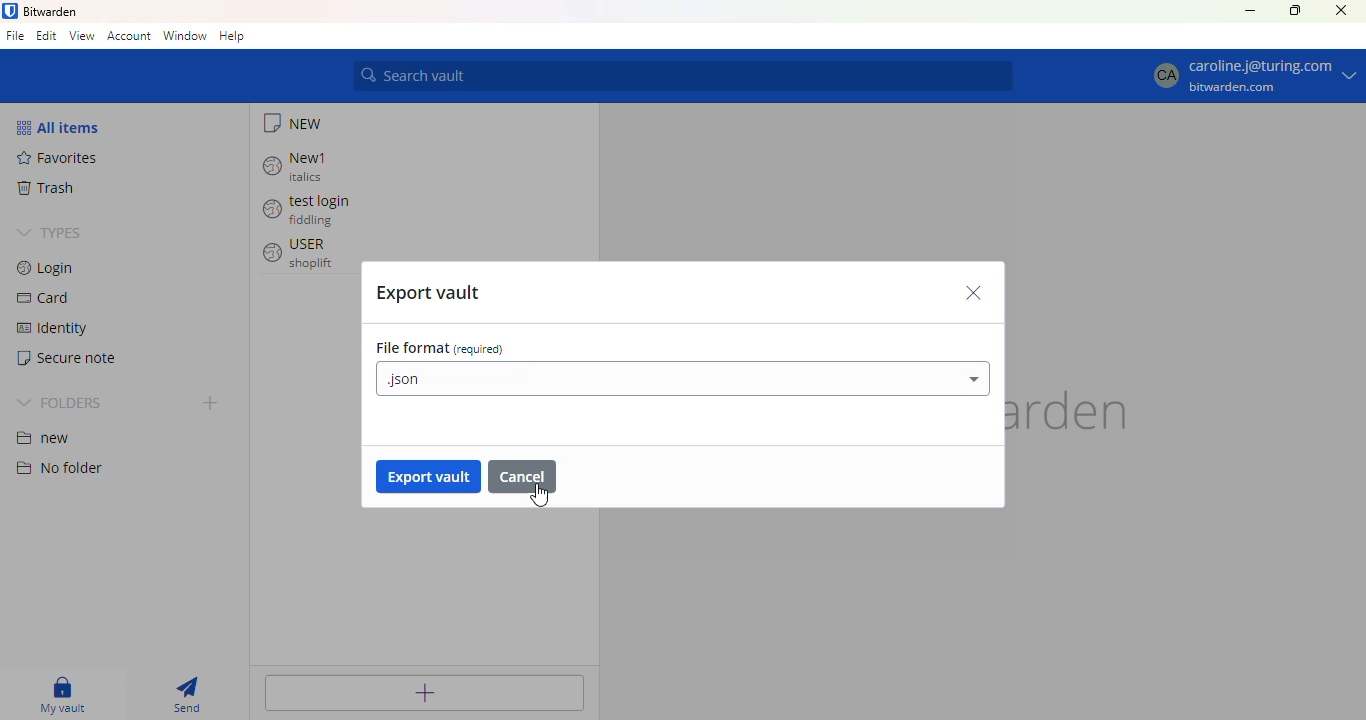  I want to click on my vault, so click(60, 694).